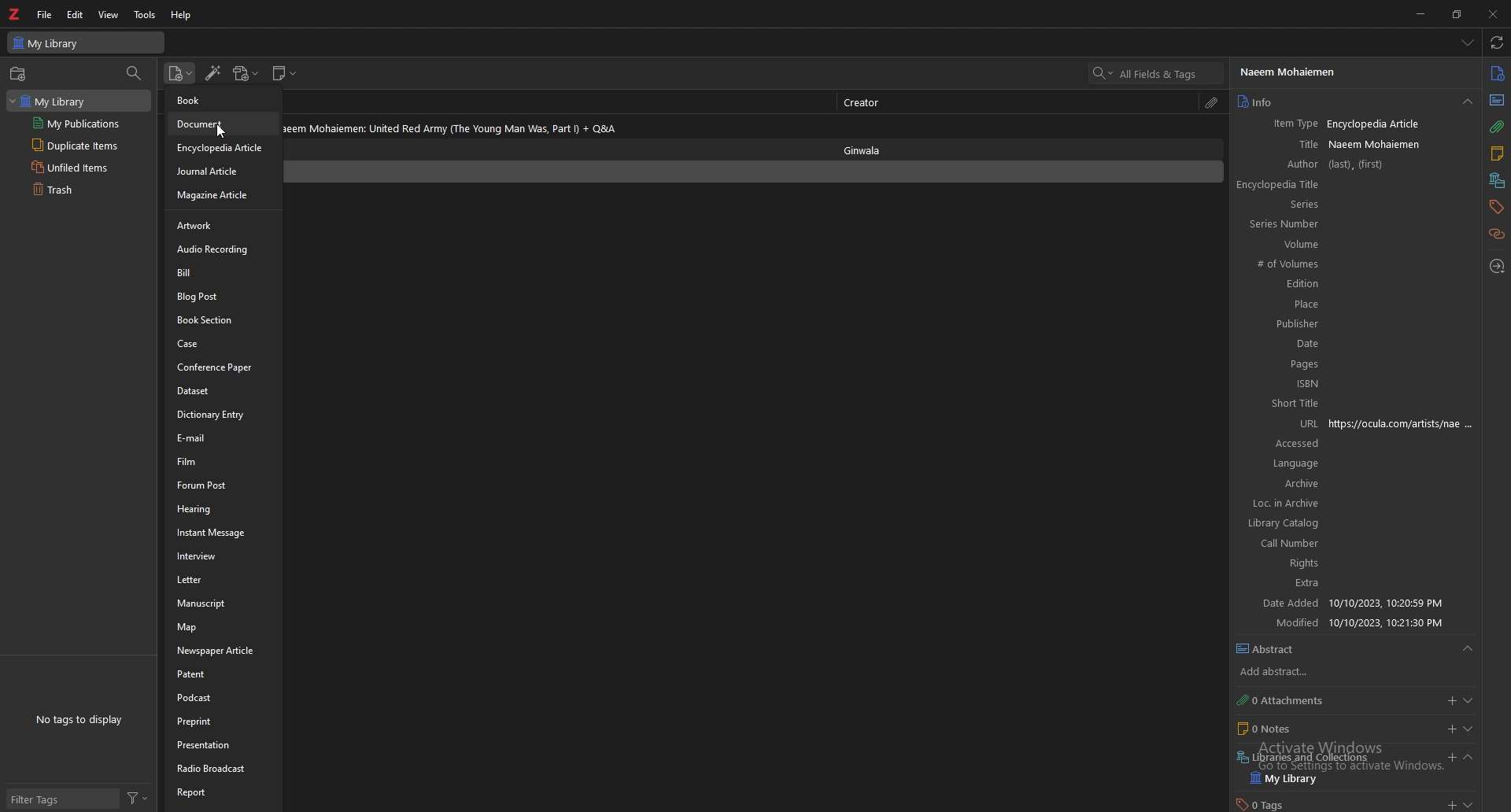  What do you see at coordinates (74, 190) in the screenshot?
I see `trash` at bounding box center [74, 190].